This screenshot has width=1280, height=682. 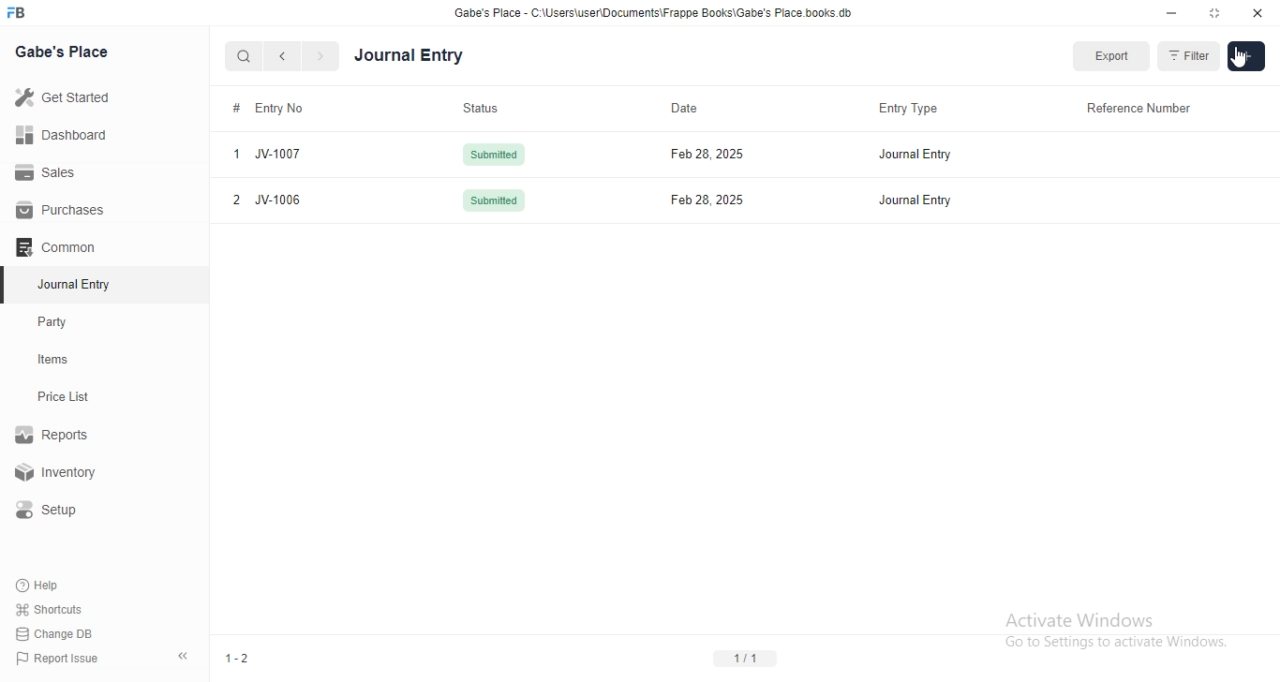 What do you see at coordinates (481, 105) in the screenshot?
I see `Status` at bounding box center [481, 105].